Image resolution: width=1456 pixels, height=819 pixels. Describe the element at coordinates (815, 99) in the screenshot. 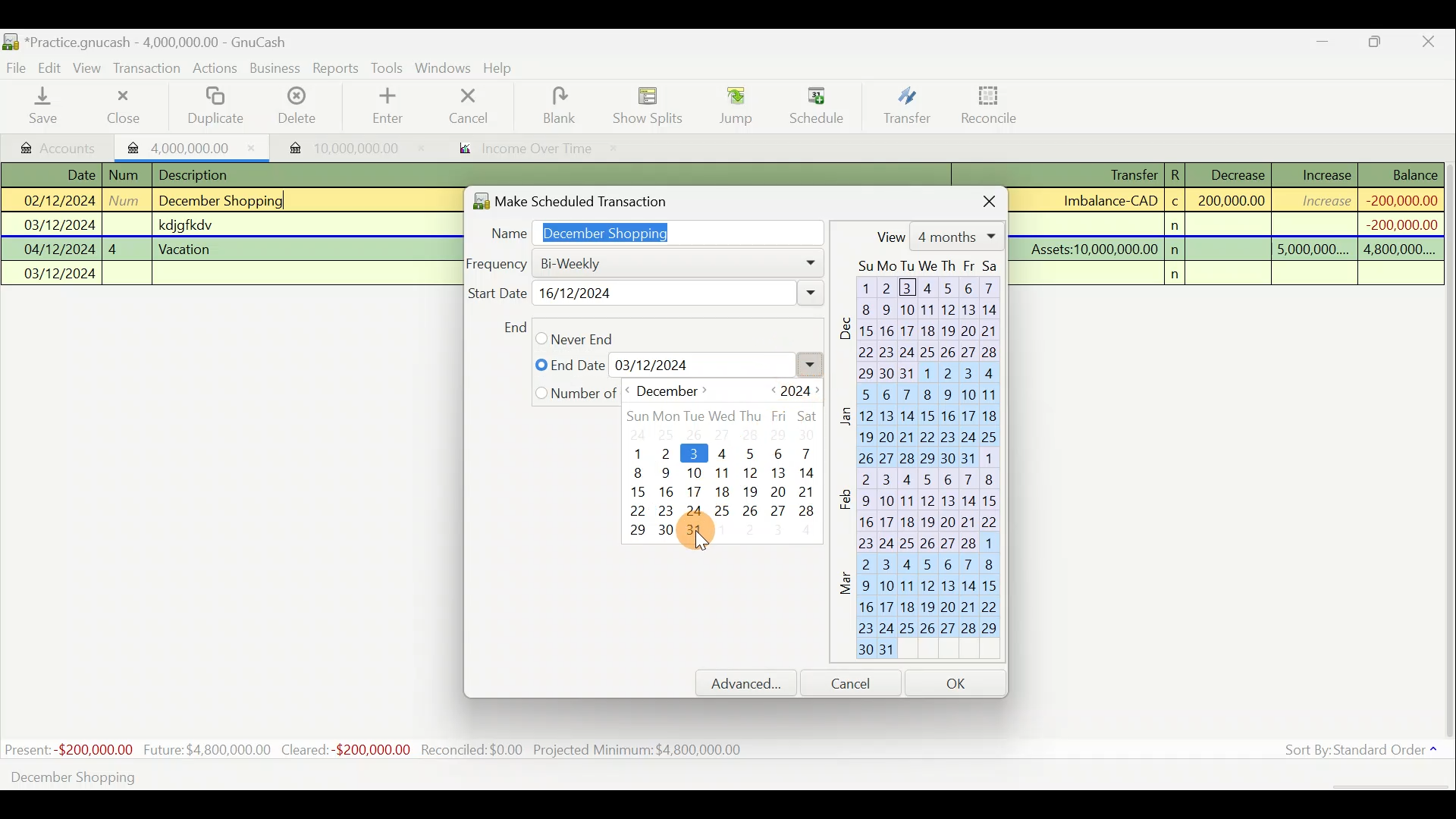

I see `Cursor` at that location.